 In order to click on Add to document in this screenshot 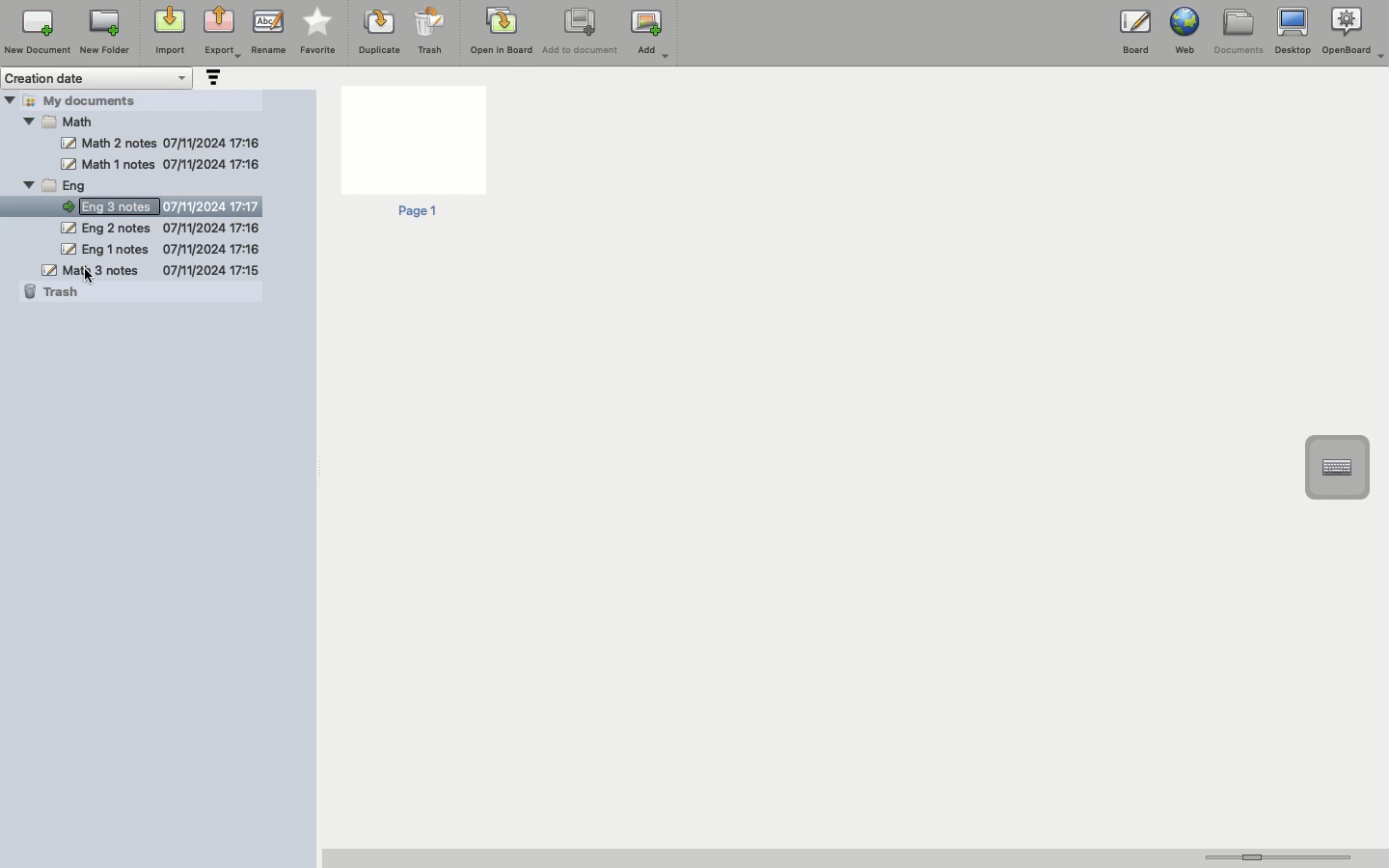, I will do `click(582, 33)`.